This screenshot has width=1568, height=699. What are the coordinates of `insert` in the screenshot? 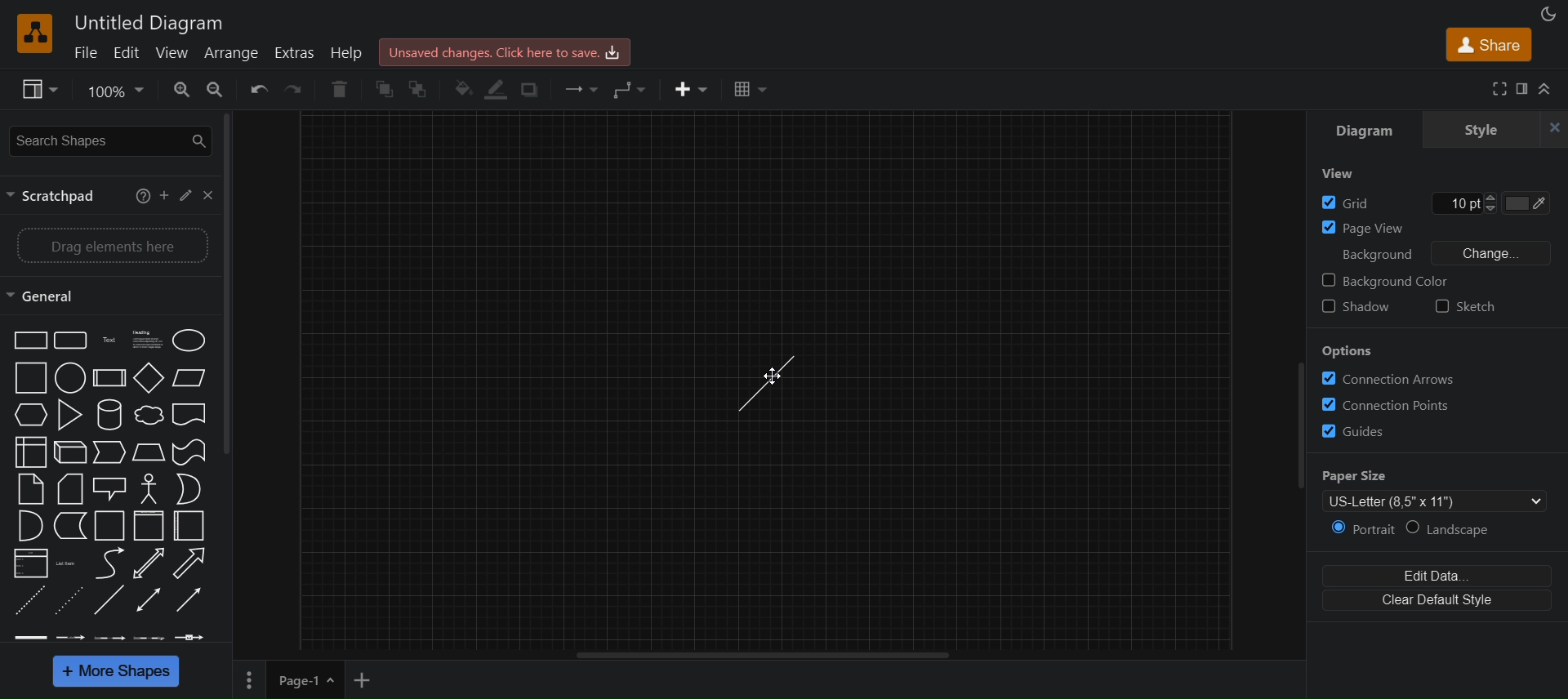 It's located at (692, 89).